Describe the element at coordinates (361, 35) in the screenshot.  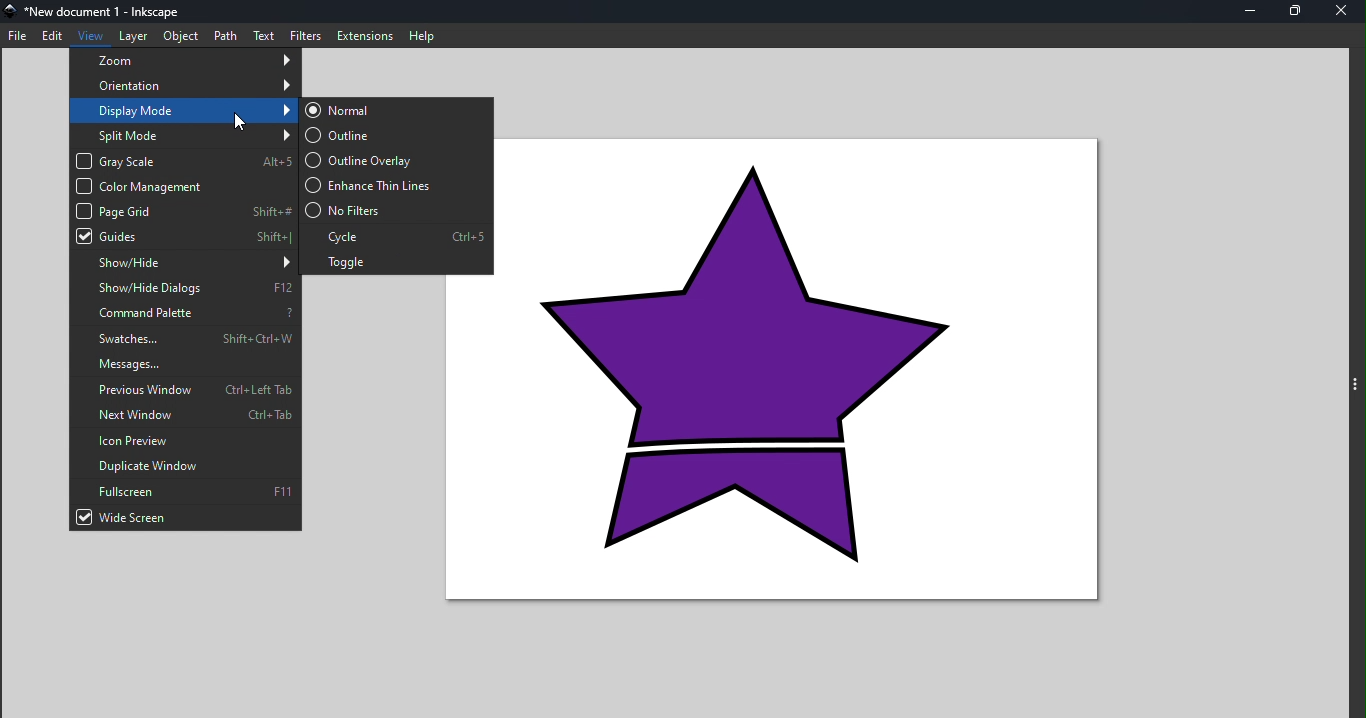
I see `Extensions` at that location.